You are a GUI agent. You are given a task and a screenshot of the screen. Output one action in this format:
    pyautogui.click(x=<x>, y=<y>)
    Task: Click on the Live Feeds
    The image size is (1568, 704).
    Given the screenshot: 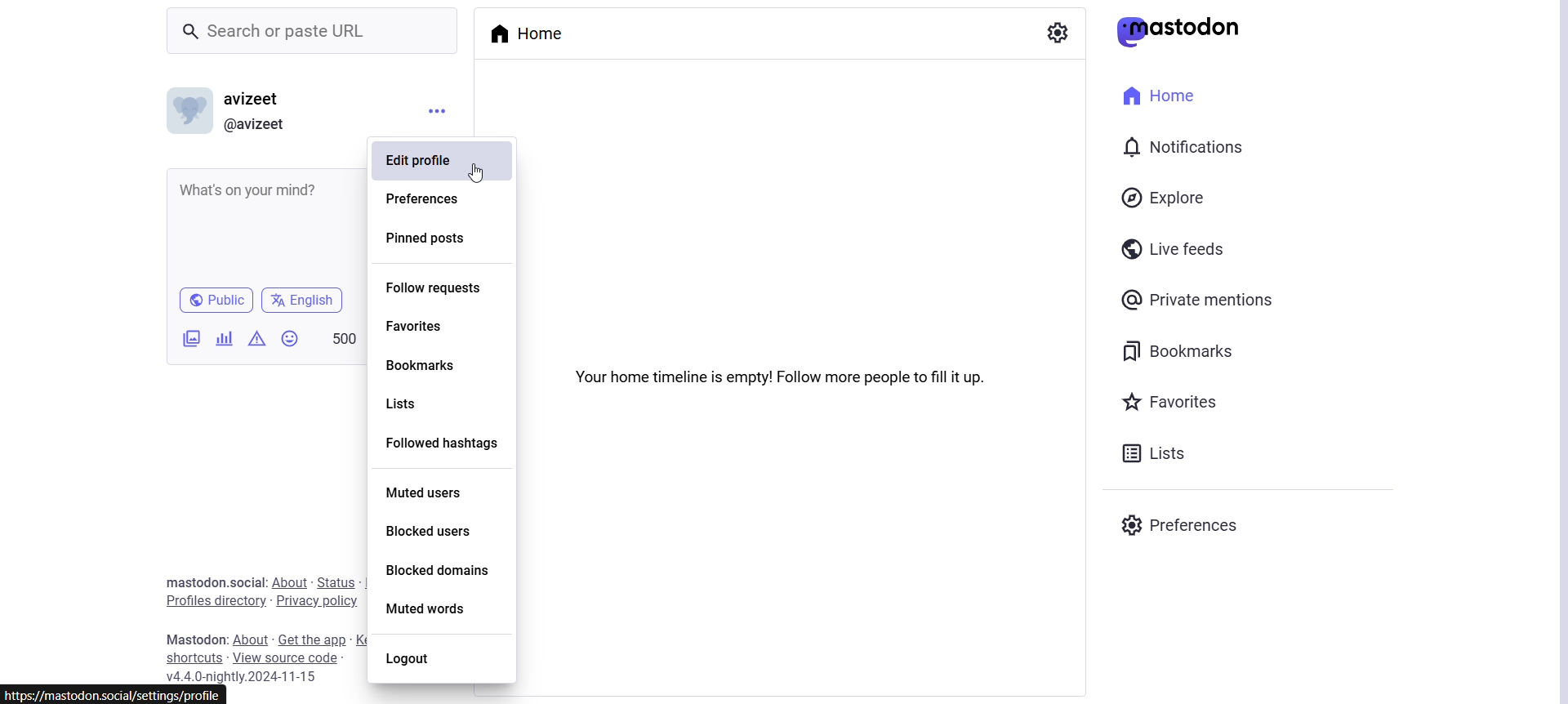 What is the action you would take?
    pyautogui.click(x=1186, y=251)
    